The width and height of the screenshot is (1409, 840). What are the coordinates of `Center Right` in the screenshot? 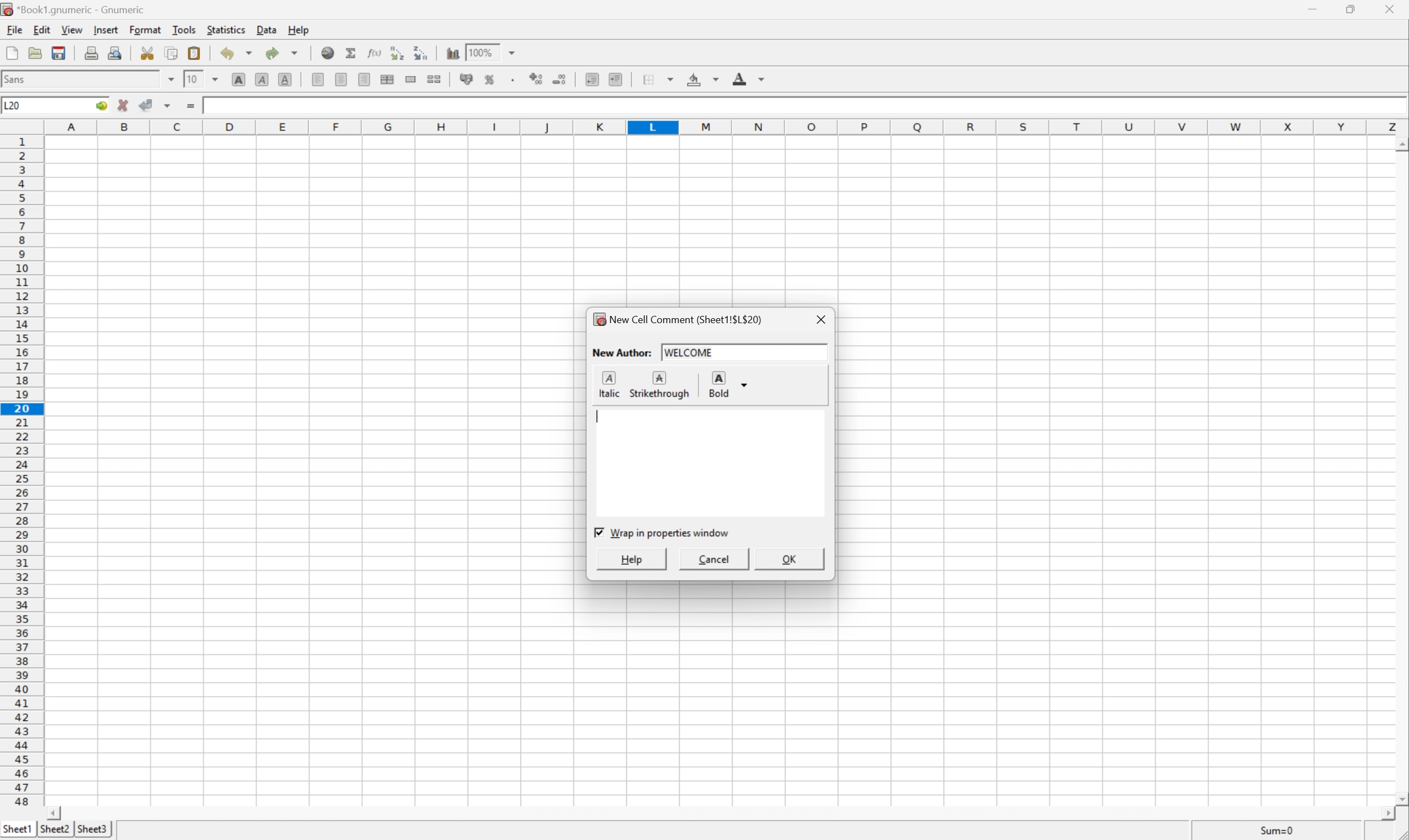 It's located at (364, 80).